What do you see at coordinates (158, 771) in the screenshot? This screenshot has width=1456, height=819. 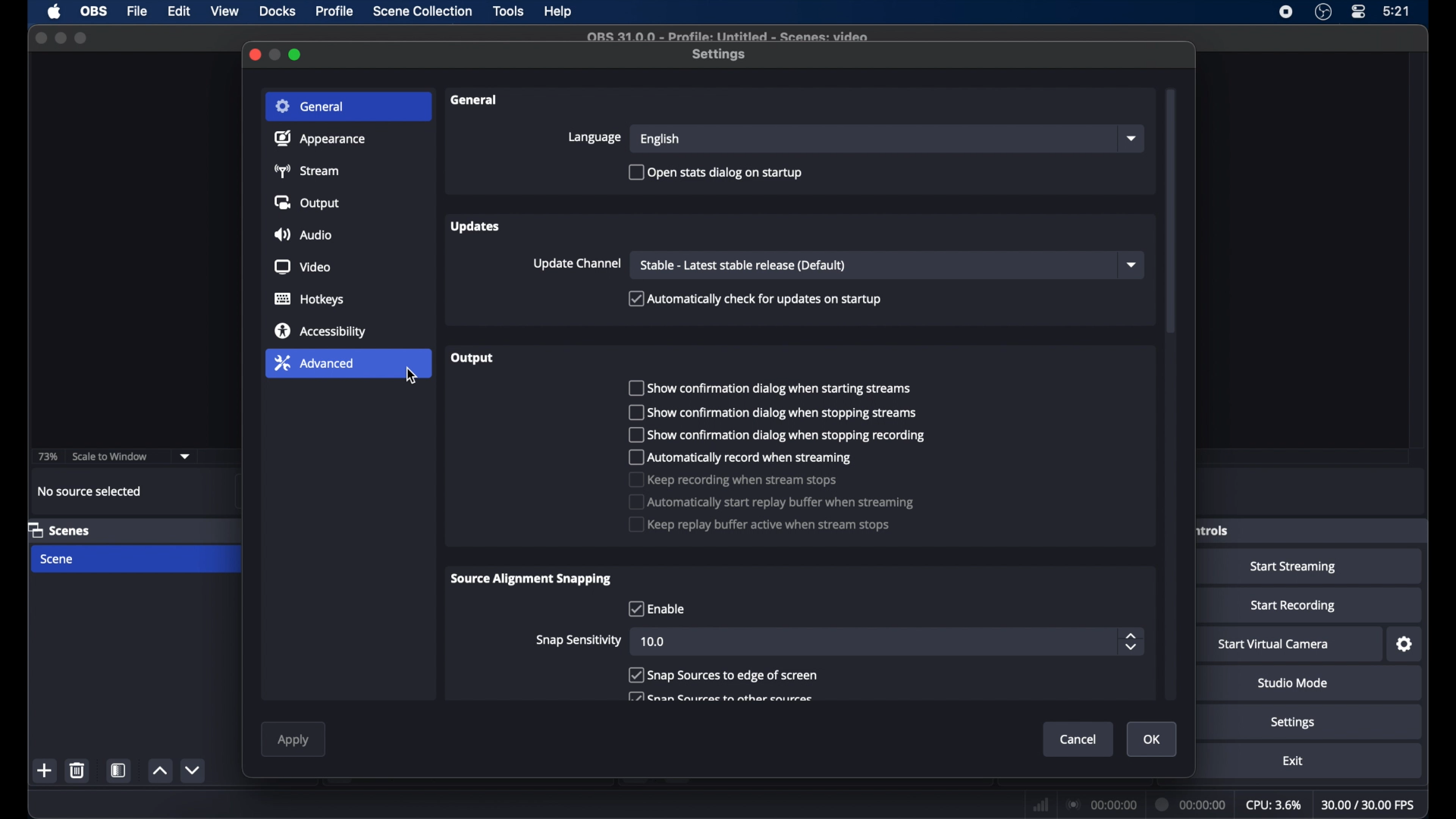 I see `increment` at bounding box center [158, 771].